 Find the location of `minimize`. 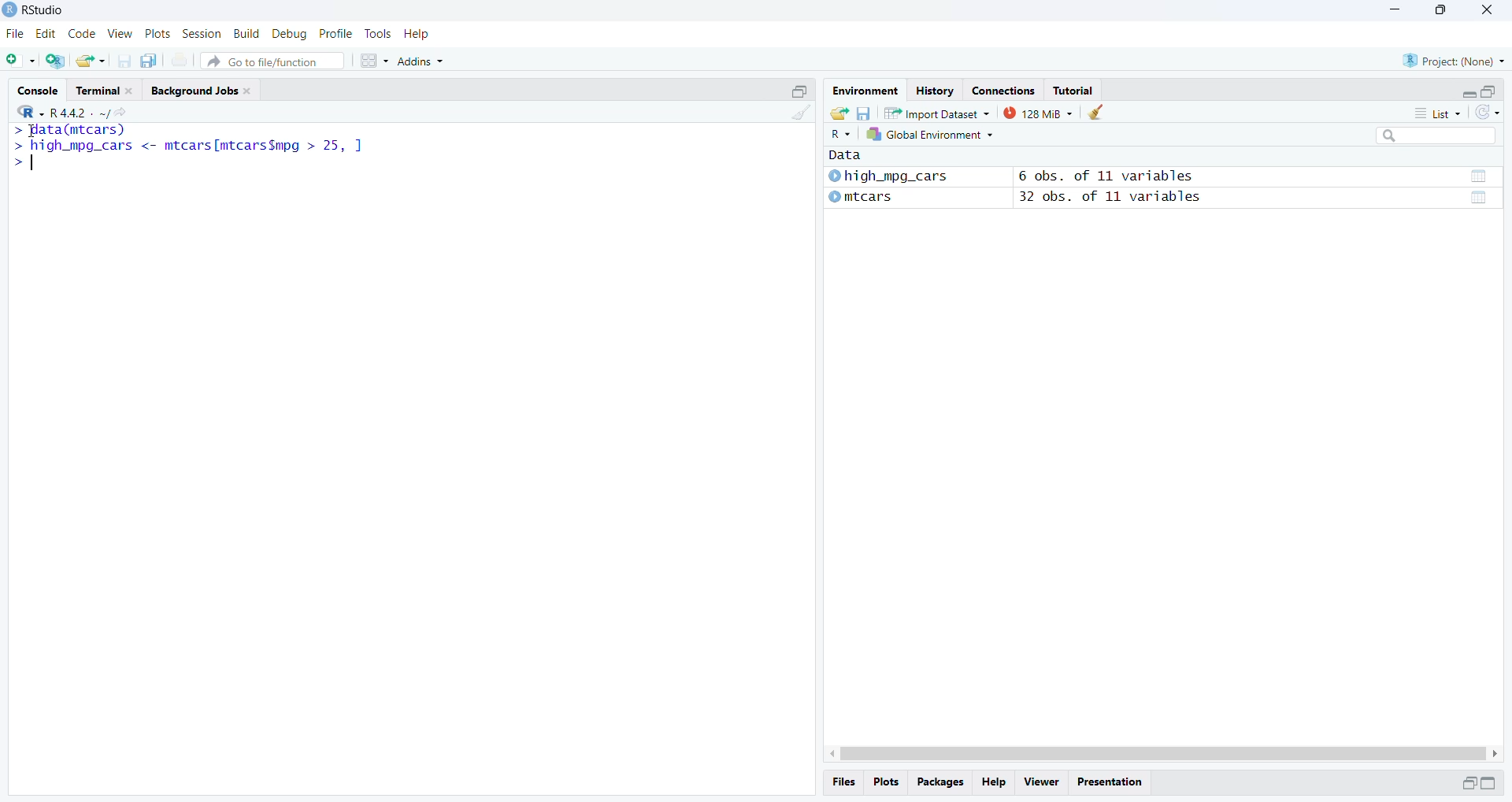

minimize is located at coordinates (1488, 783).